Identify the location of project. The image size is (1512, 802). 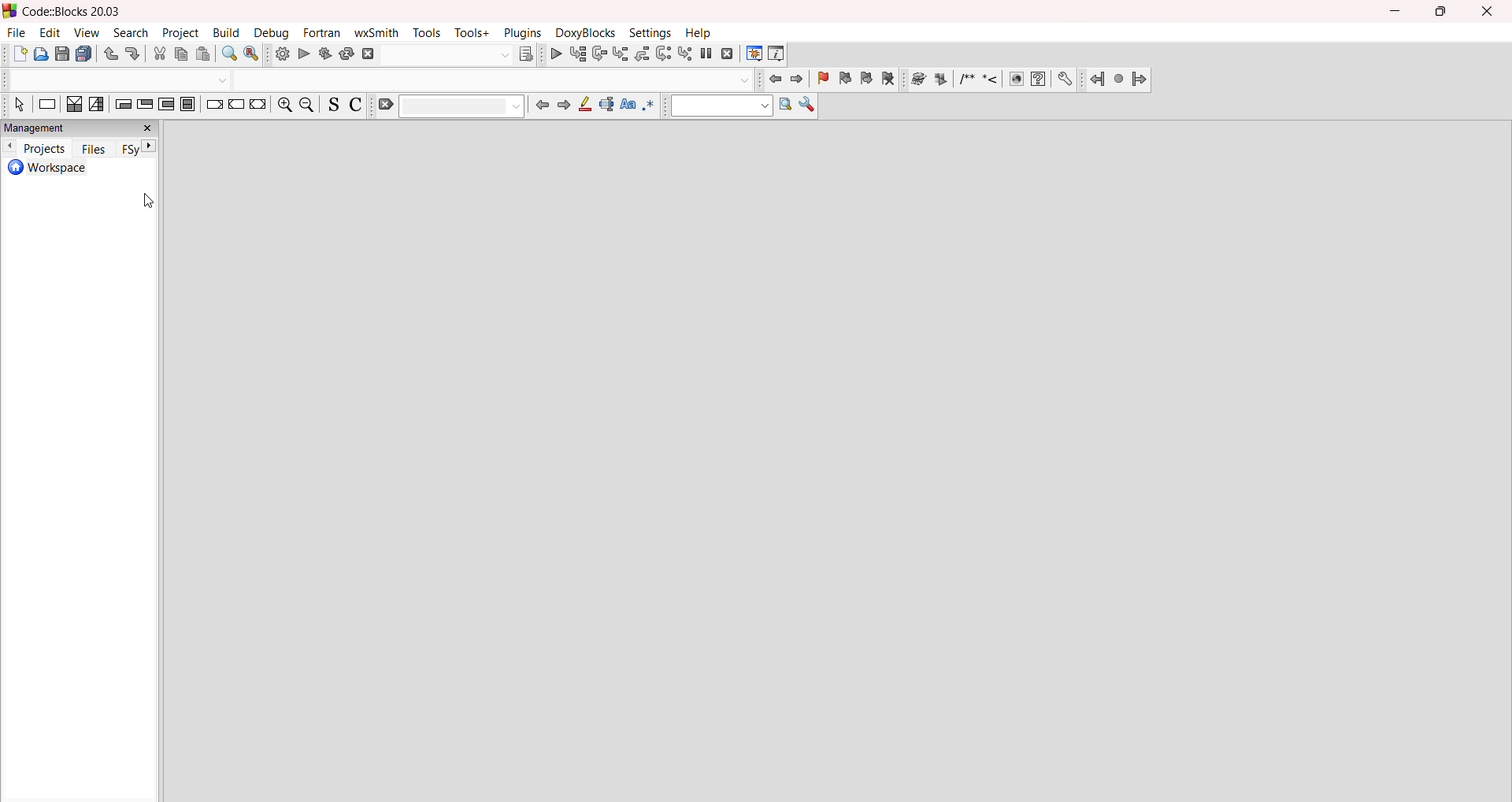
(181, 33).